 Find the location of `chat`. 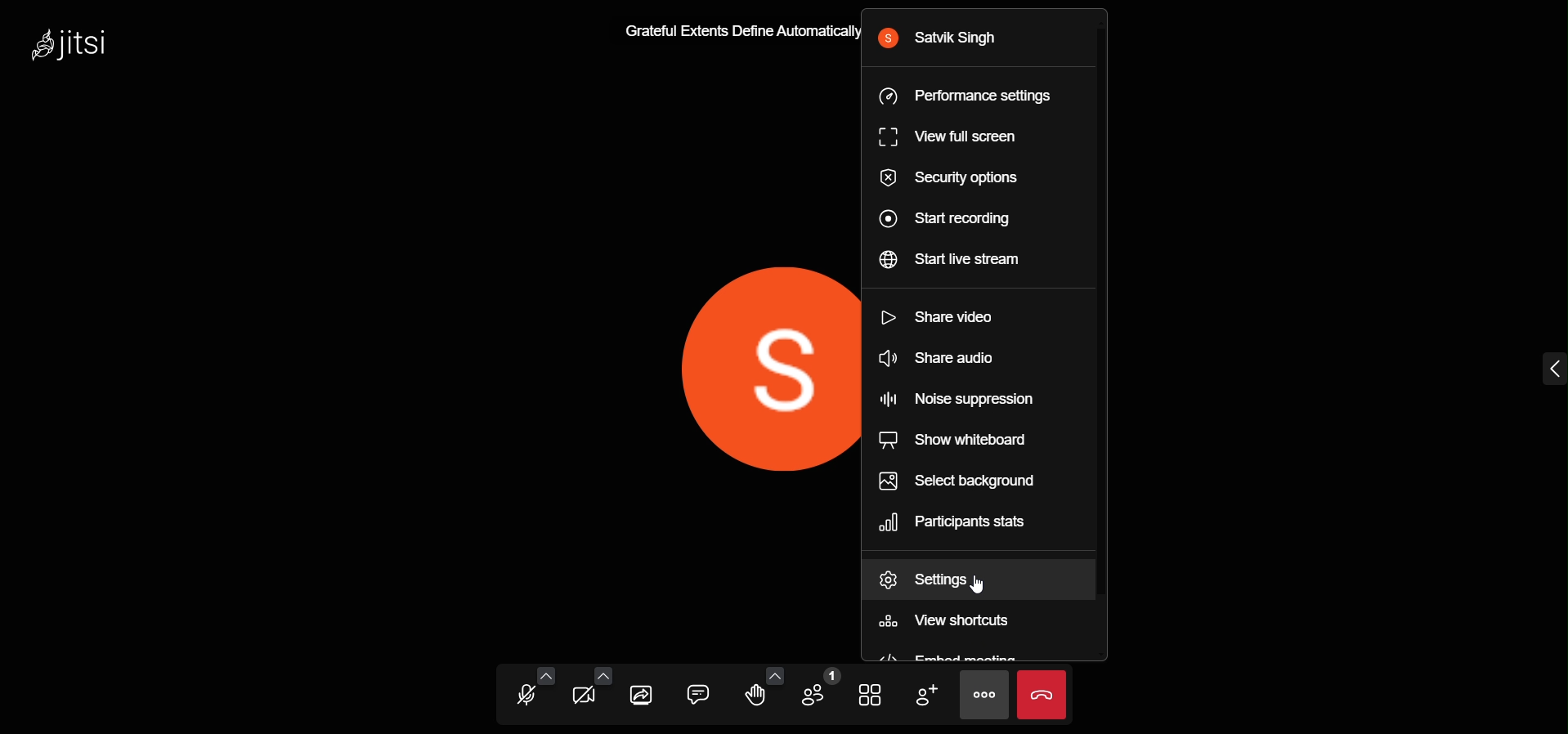

chat is located at coordinates (699, 692).